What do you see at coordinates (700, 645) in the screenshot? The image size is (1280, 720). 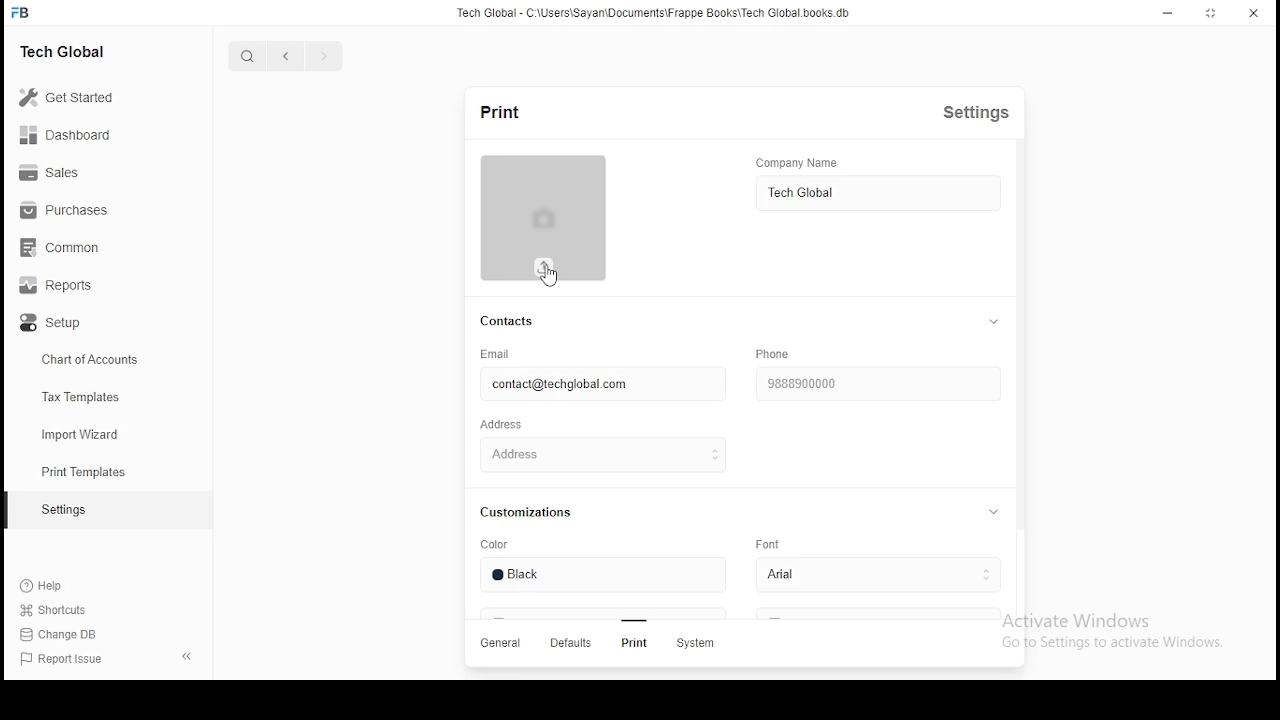 I see `system` at bounding box center [700, 645].